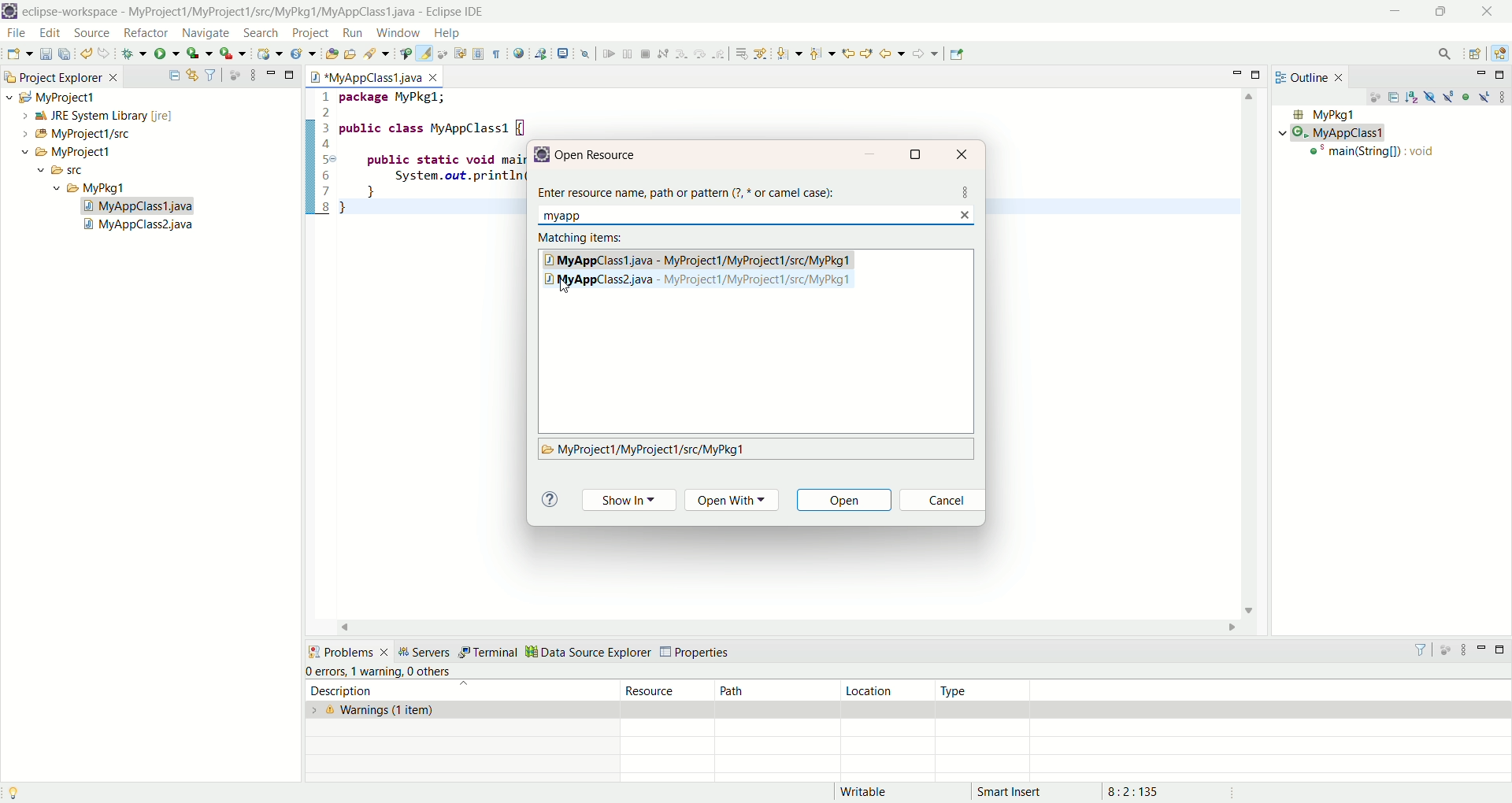 Image resolution: width=1512 pixels, height=803 pixels. What do you see at coordinates (1021, 791) in the screenshot?
I see `smart insert` at bounding box center [1021, 791].